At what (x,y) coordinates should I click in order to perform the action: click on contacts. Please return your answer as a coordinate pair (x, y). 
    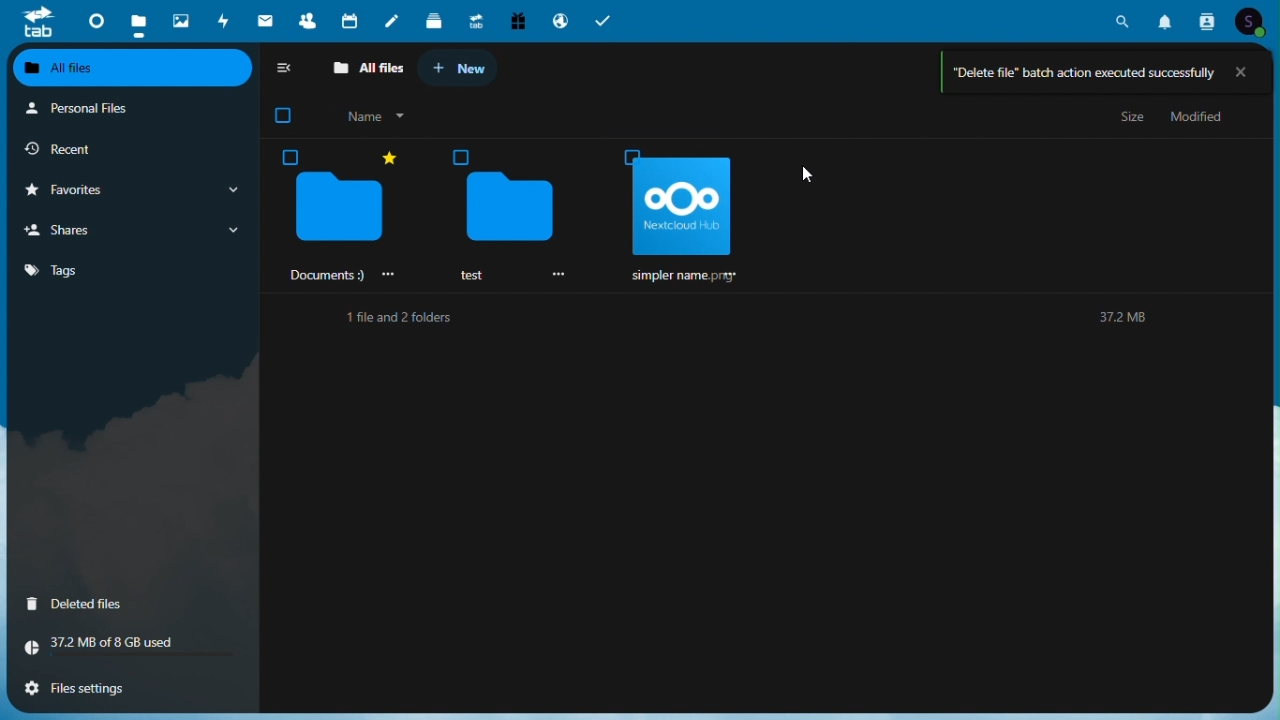
    Looking at the image, I should click on (1207, 20).